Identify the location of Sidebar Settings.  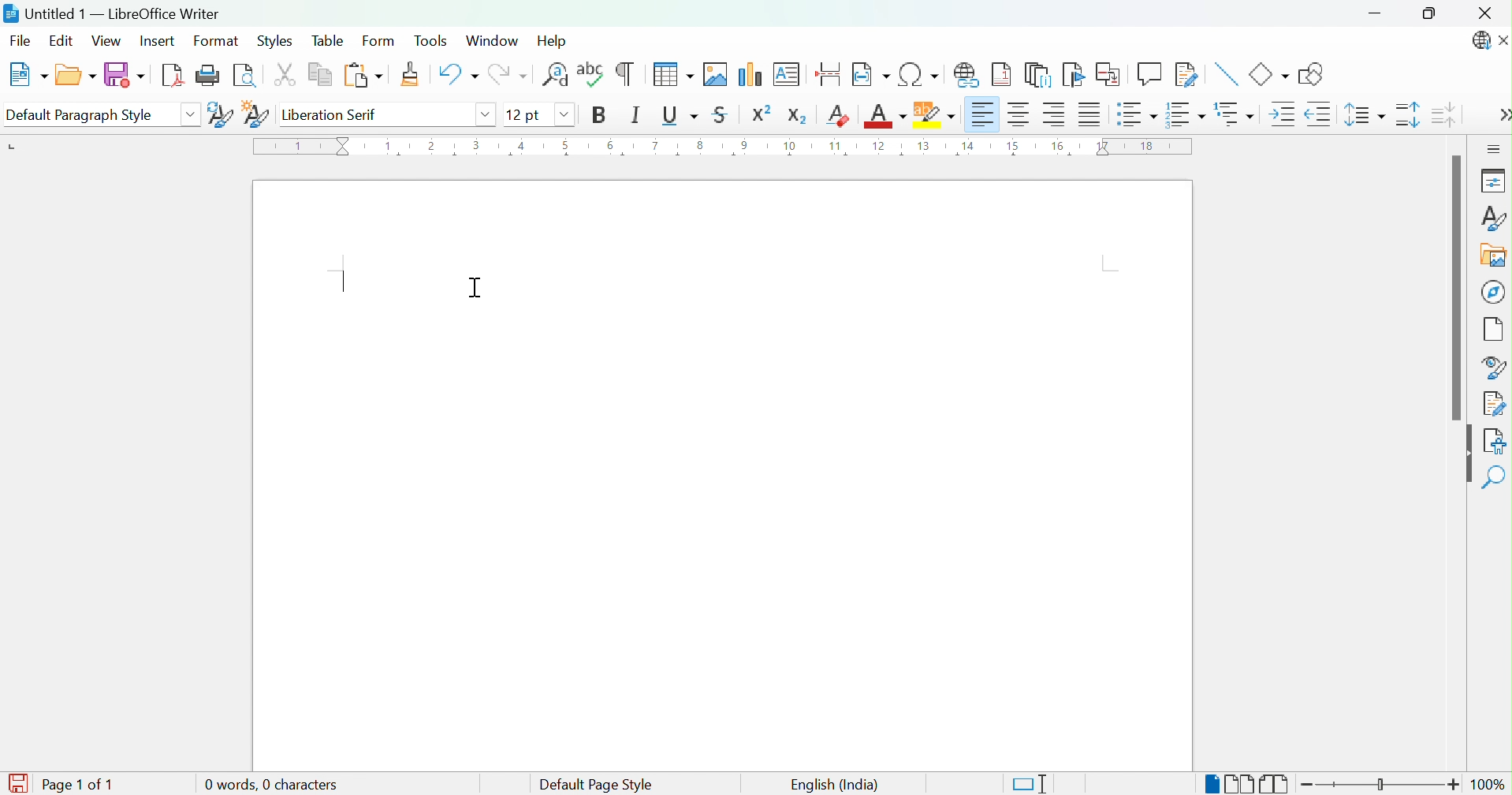
(1494, 148).